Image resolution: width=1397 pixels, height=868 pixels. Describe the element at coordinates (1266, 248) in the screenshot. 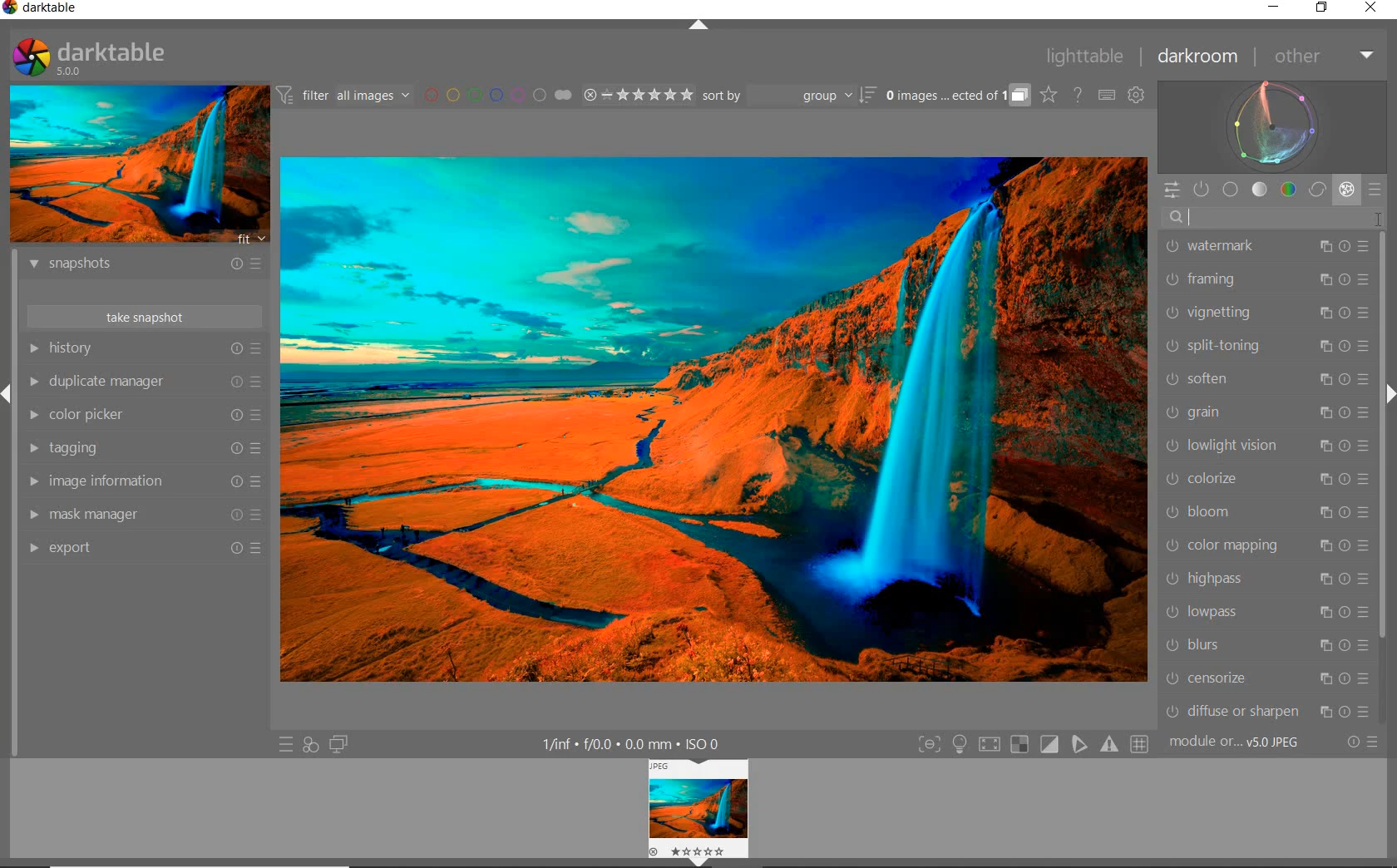

I see `watermark` at that location.